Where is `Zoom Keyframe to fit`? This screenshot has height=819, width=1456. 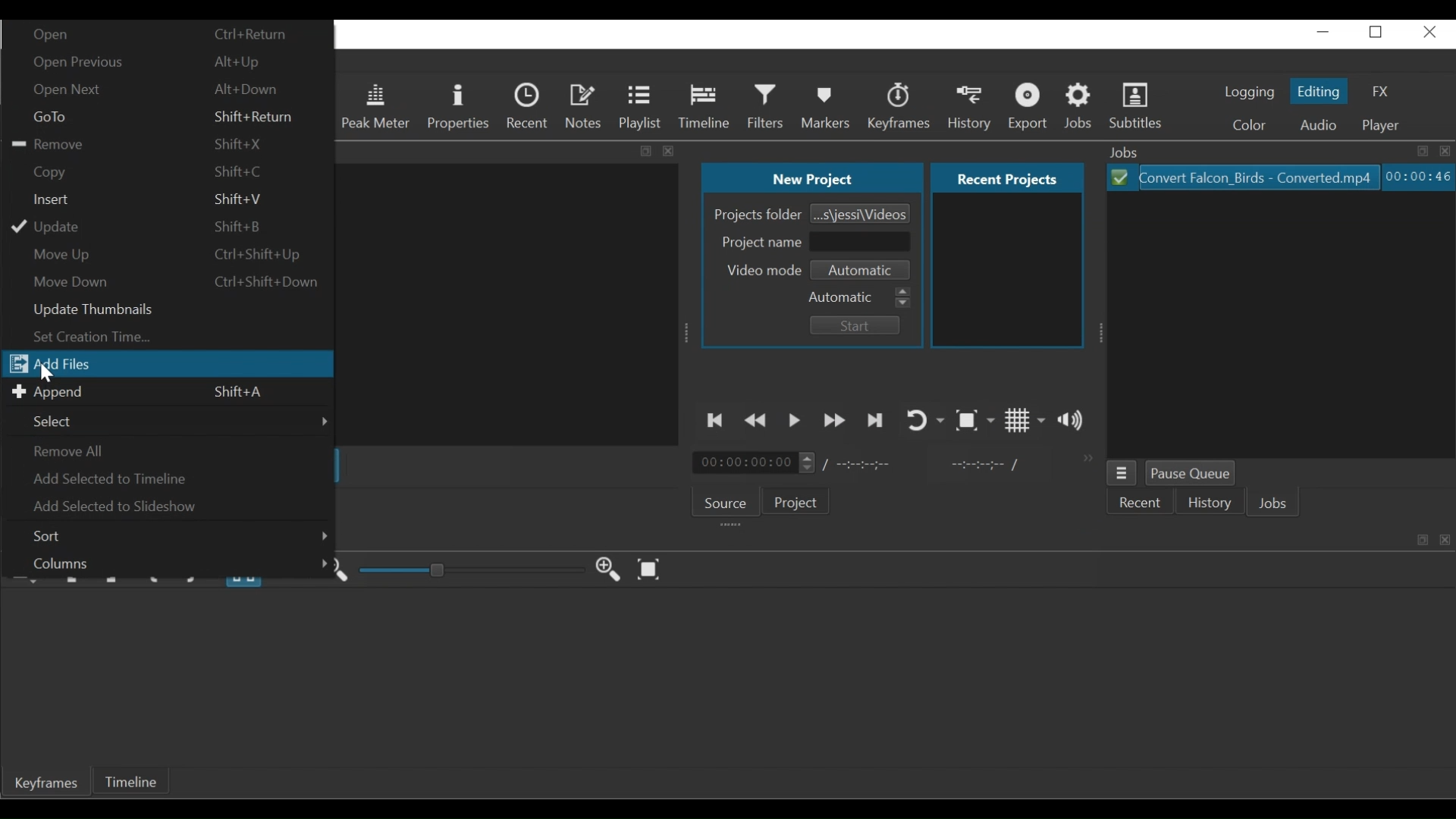
Zoom Keyframe to fit is located at coordinates (648, 570).